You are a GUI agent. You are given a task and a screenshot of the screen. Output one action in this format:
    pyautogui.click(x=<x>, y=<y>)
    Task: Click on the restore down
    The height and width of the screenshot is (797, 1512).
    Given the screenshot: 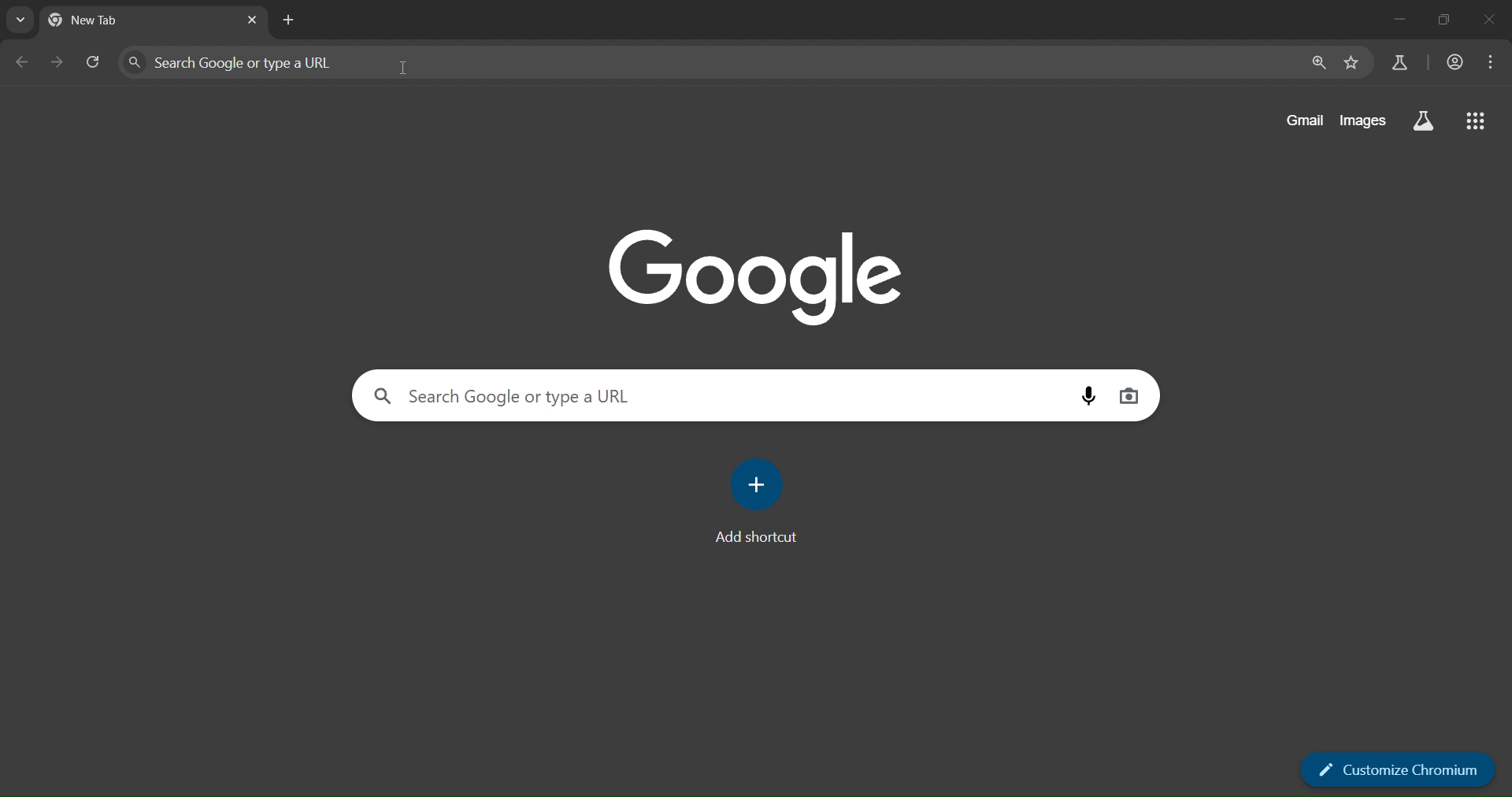 What is the action you would take?
    pyautogui.click(x=1447, y=20)
    